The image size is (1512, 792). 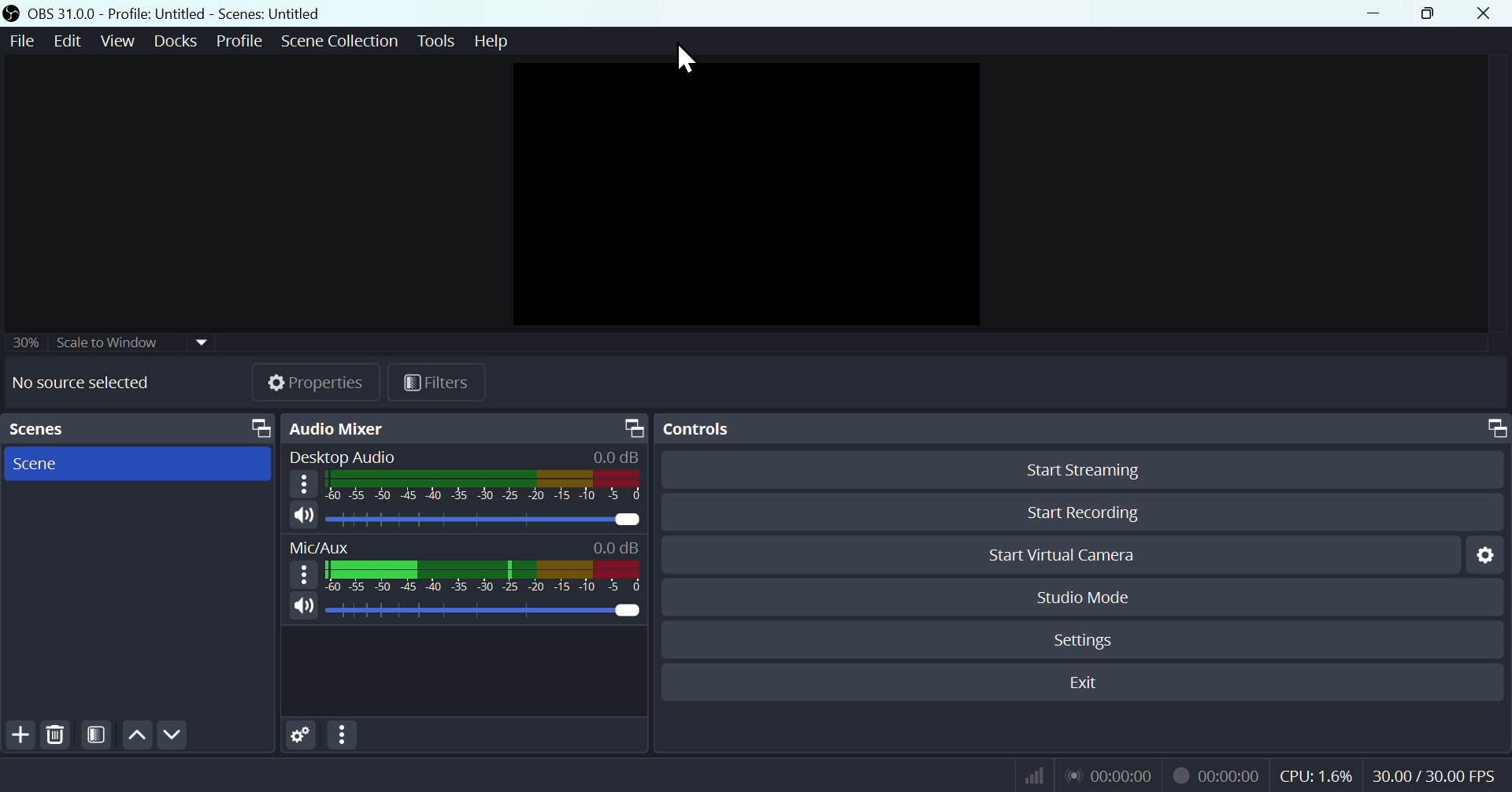 I want to click on More options, so click(x=343, y=737).